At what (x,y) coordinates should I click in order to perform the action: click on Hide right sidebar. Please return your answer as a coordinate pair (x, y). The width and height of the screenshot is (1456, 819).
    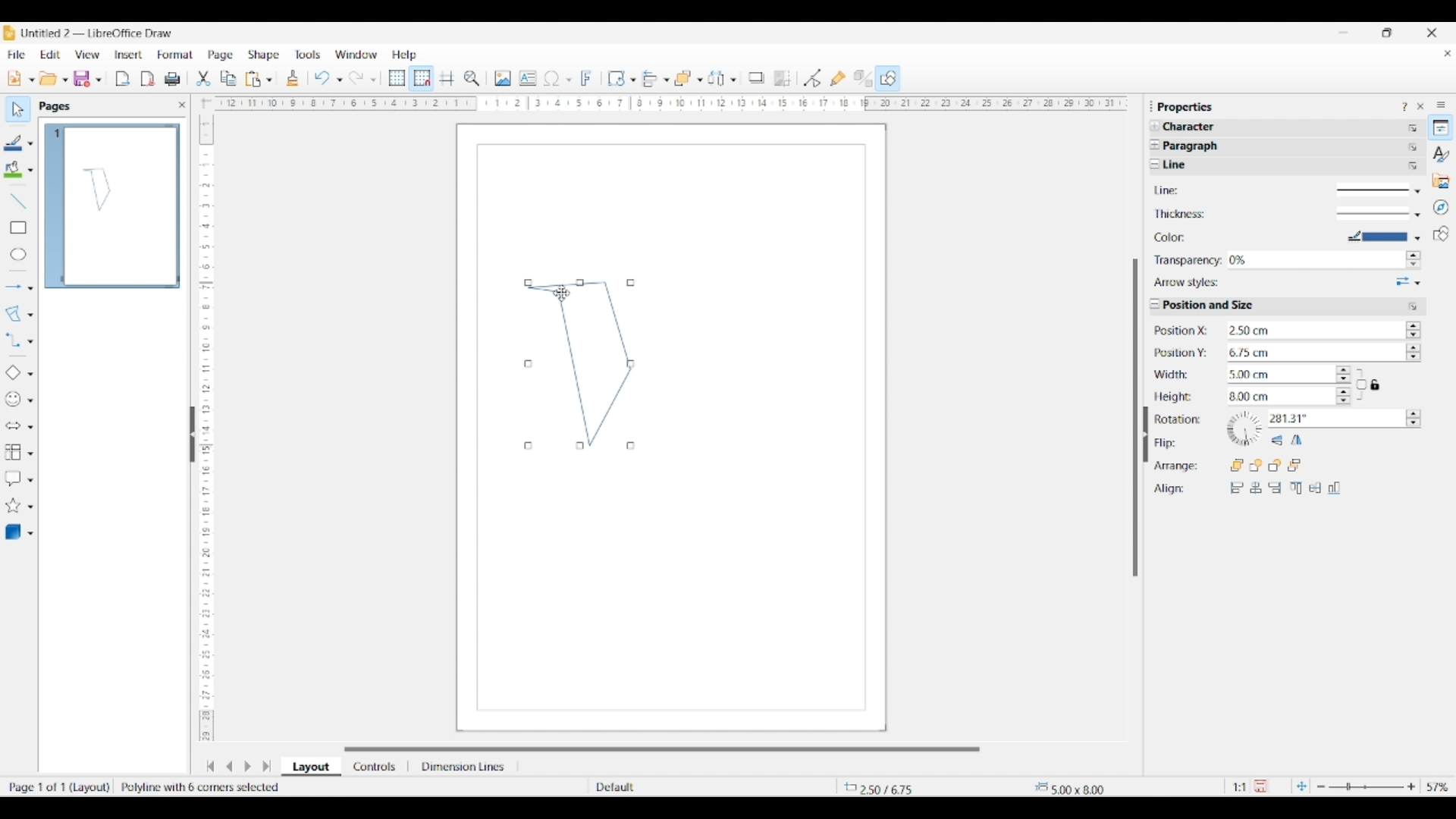
    Looking at the image, I should click on (1145, 435).